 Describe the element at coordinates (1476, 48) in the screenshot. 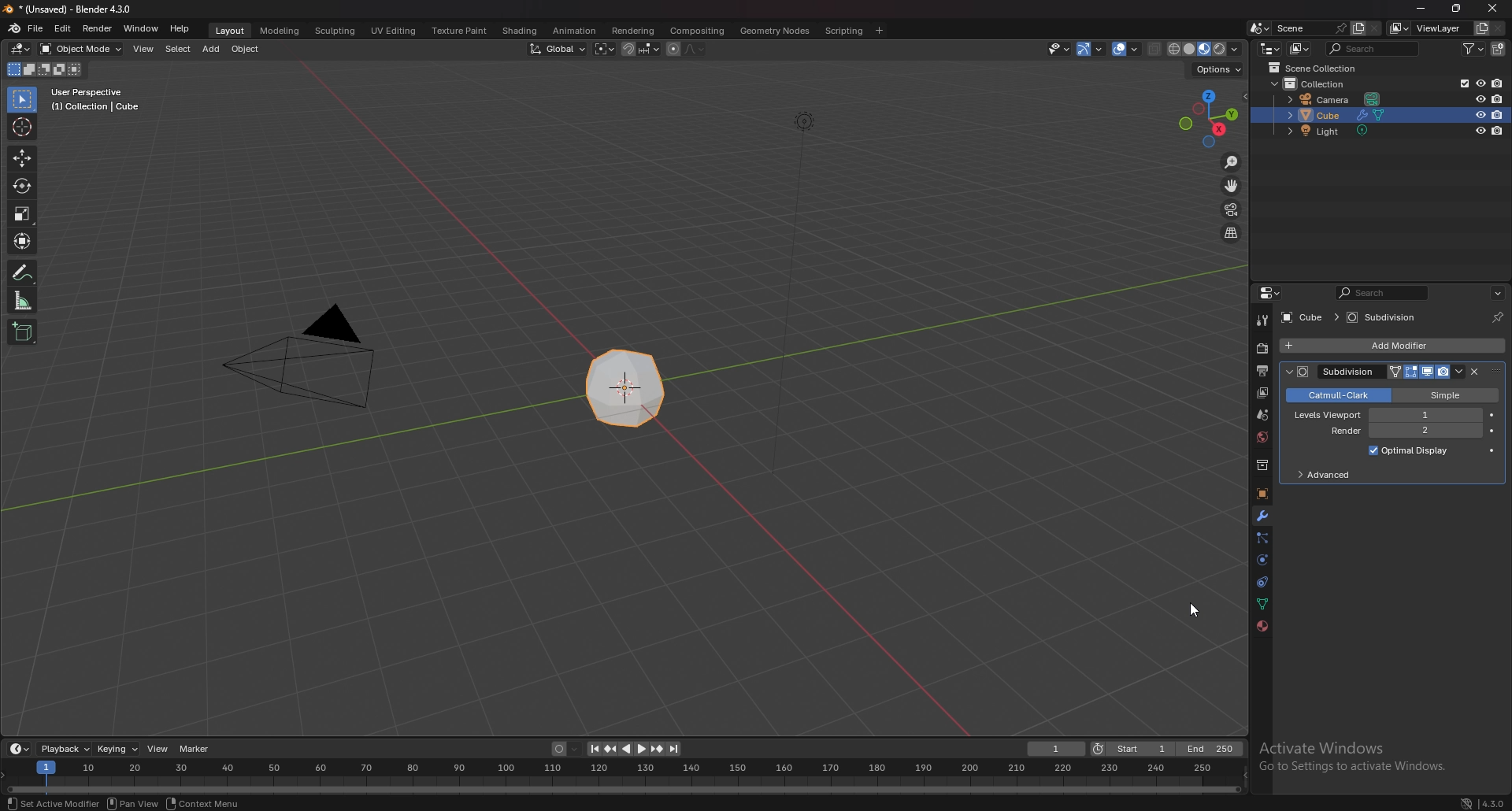

I see `filter` at that location.